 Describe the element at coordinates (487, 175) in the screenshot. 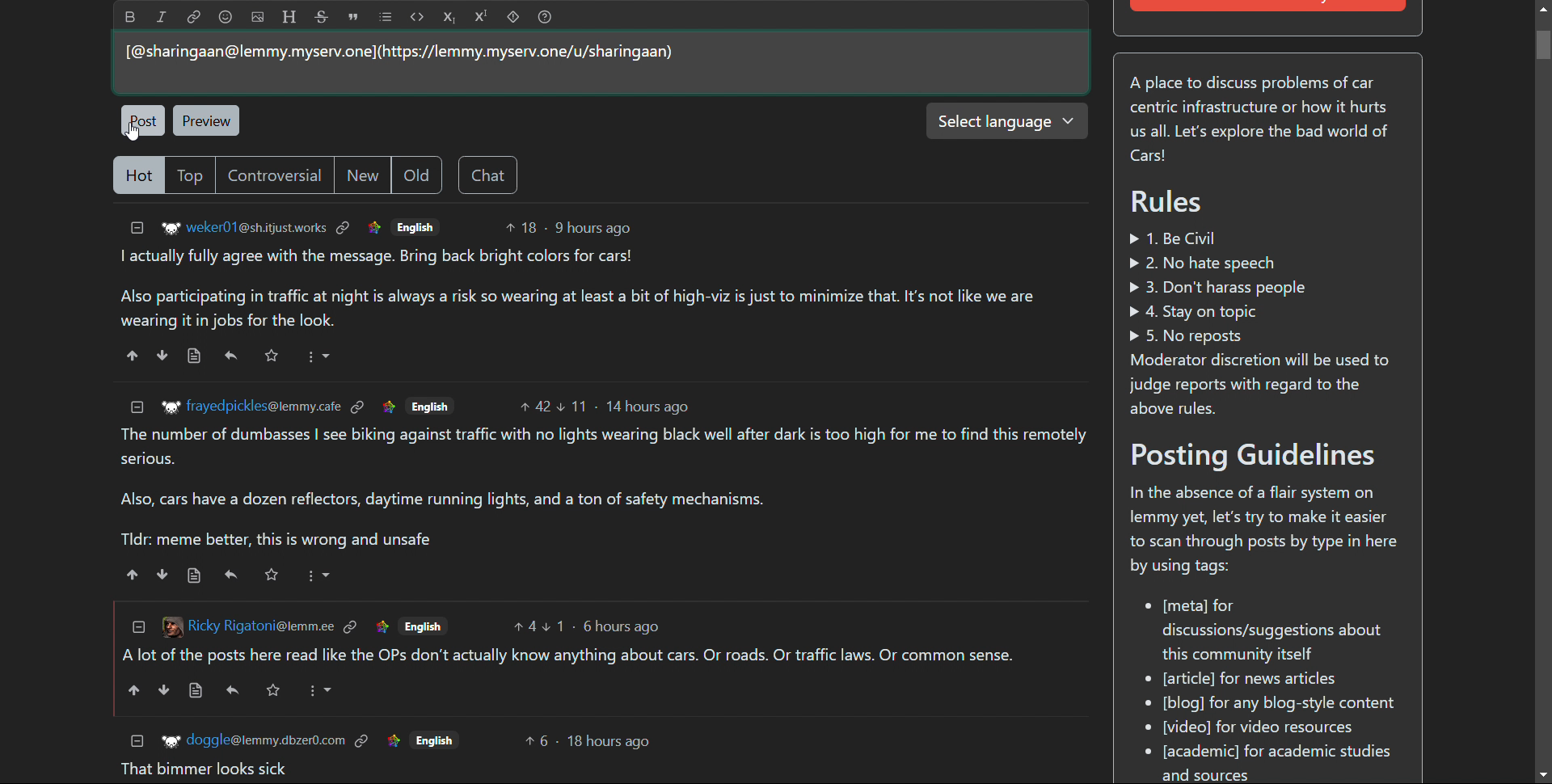

I see `chat` at that location.